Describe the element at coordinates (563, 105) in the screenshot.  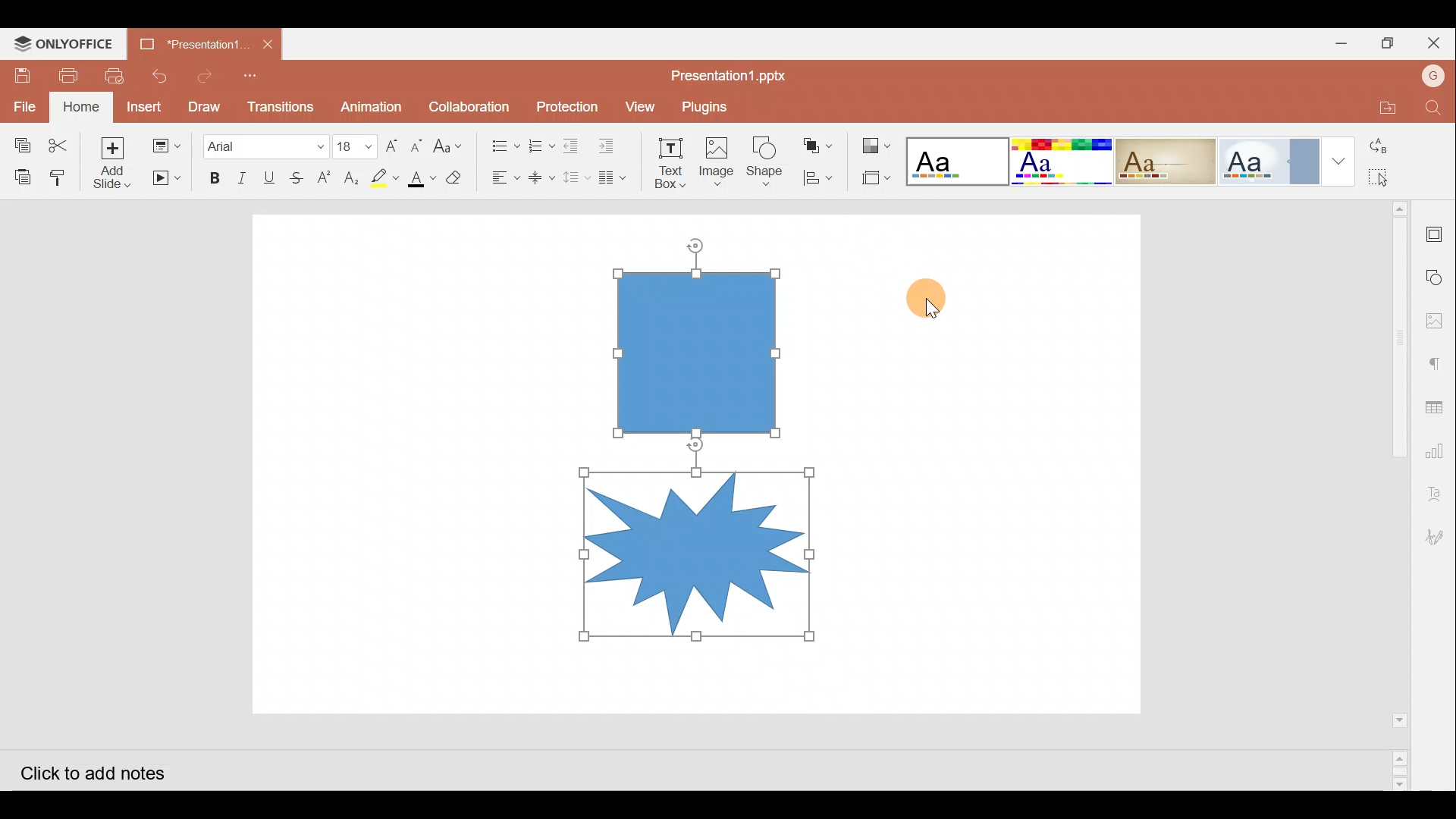
I see `Protection` at that location.